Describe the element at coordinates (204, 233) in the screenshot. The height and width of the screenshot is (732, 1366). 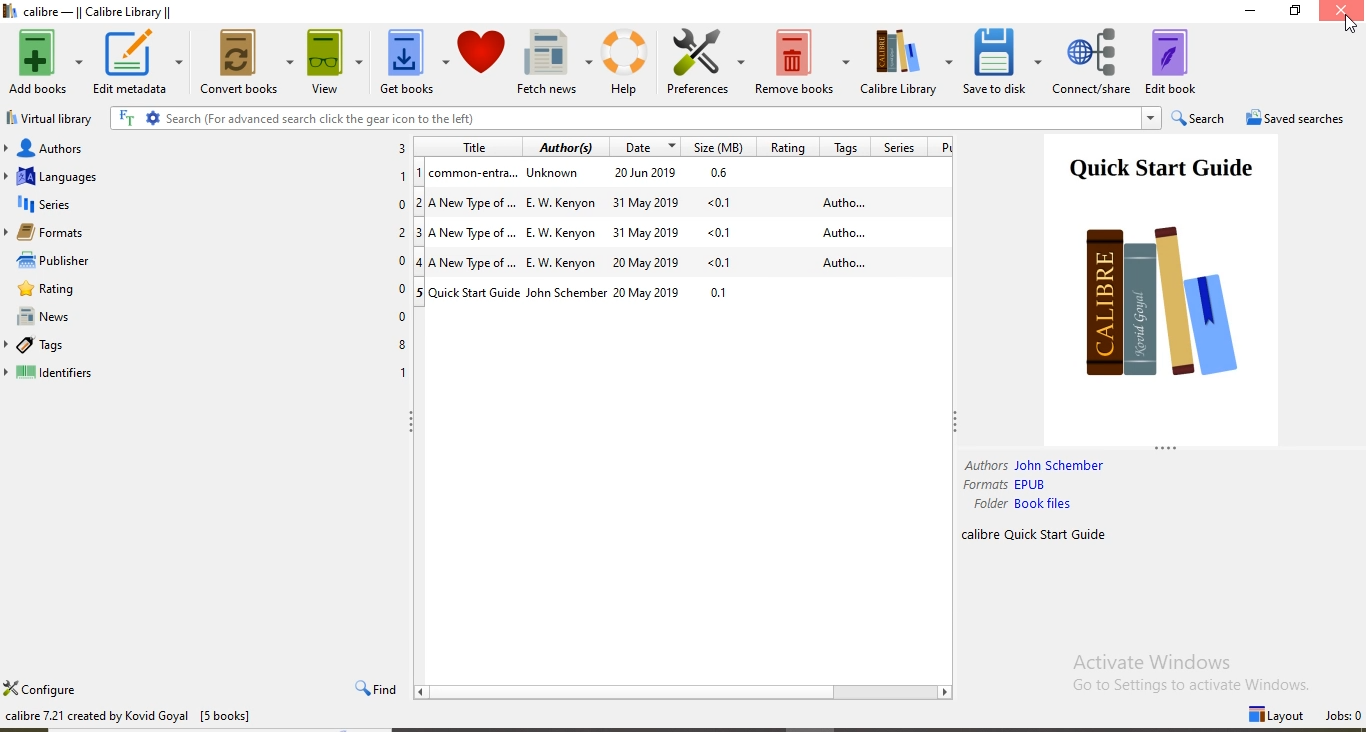
I see `Formats` at that location.